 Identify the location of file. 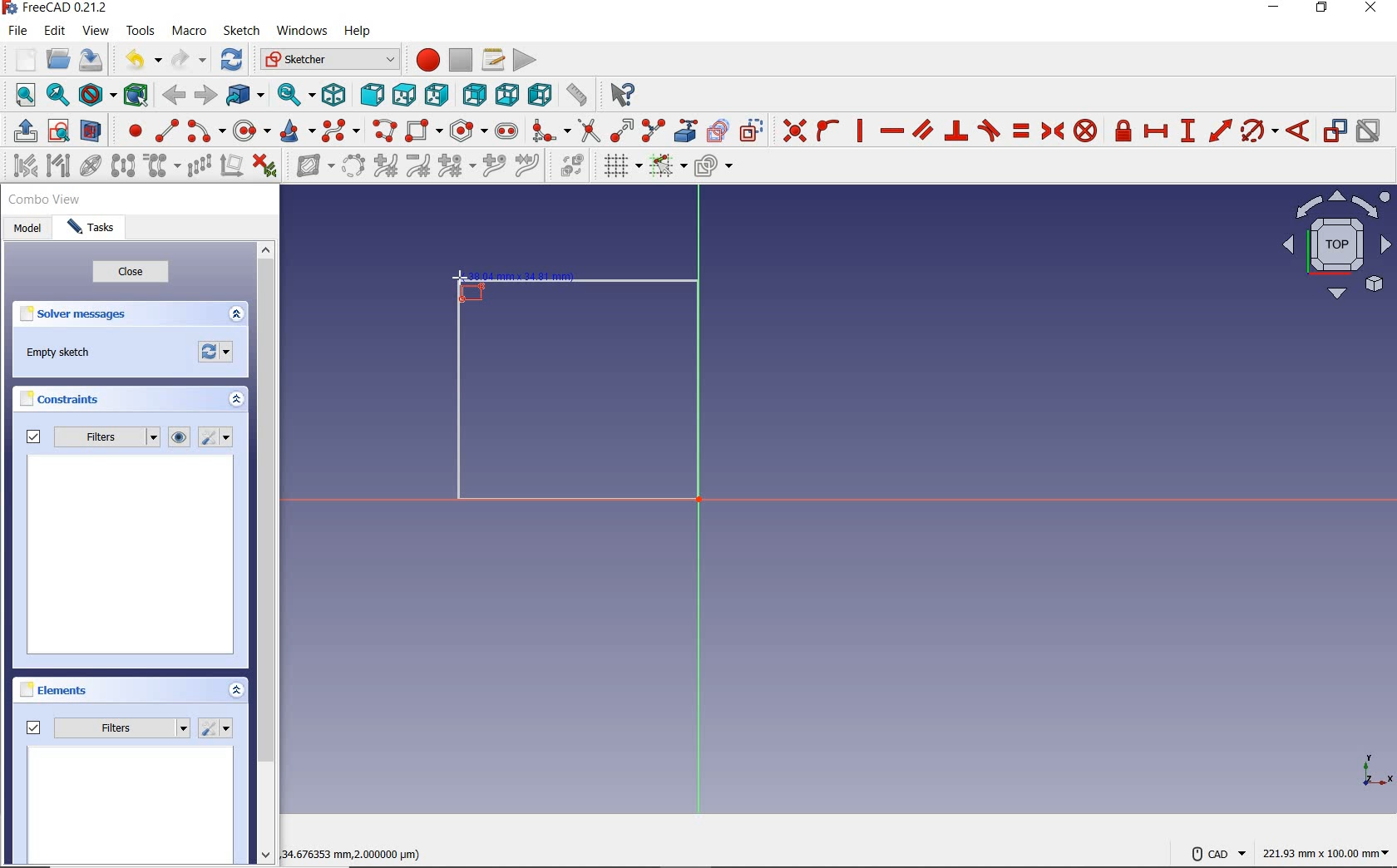
(18, 31).